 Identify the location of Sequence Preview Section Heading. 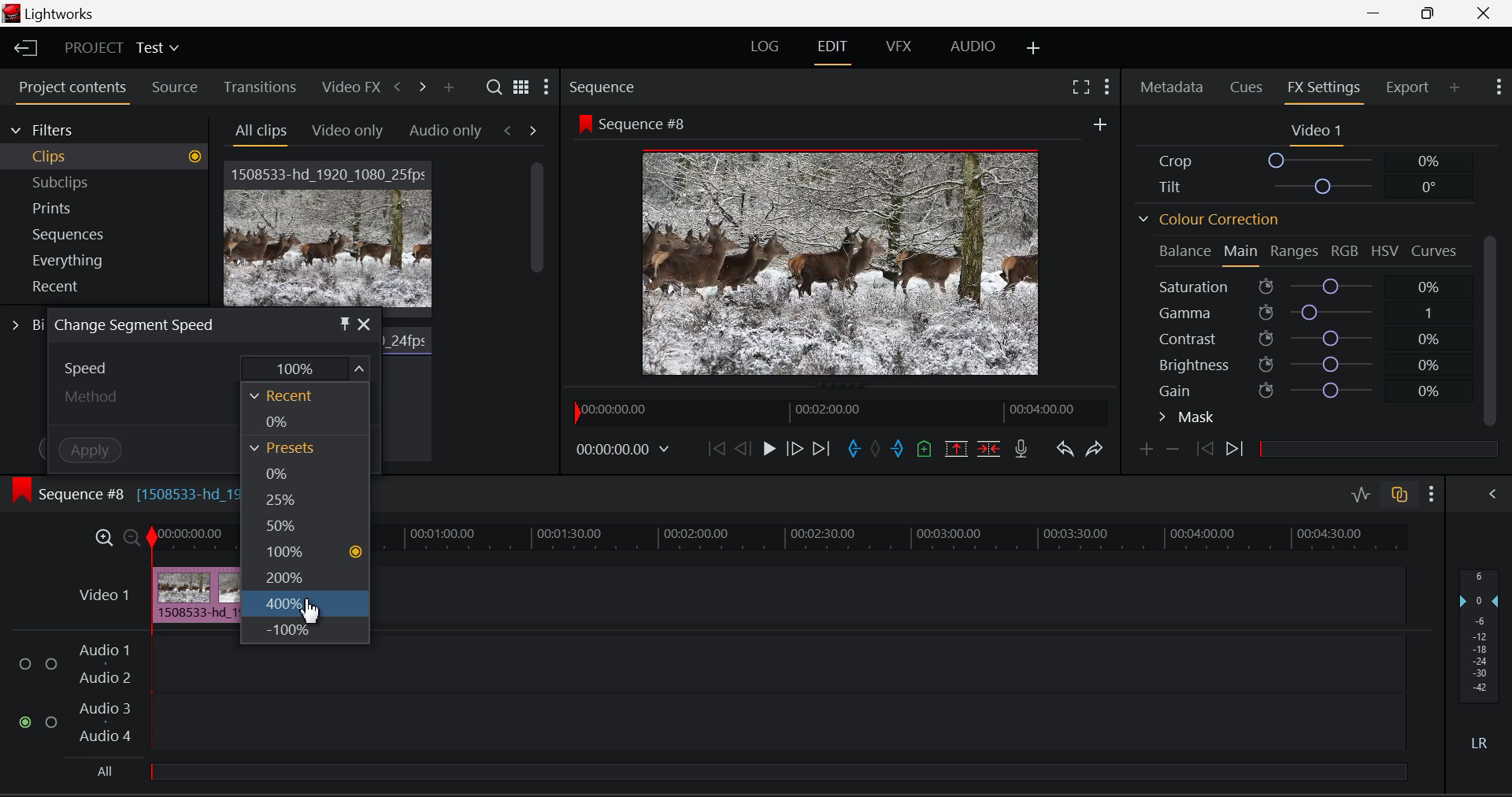
(605, 87).